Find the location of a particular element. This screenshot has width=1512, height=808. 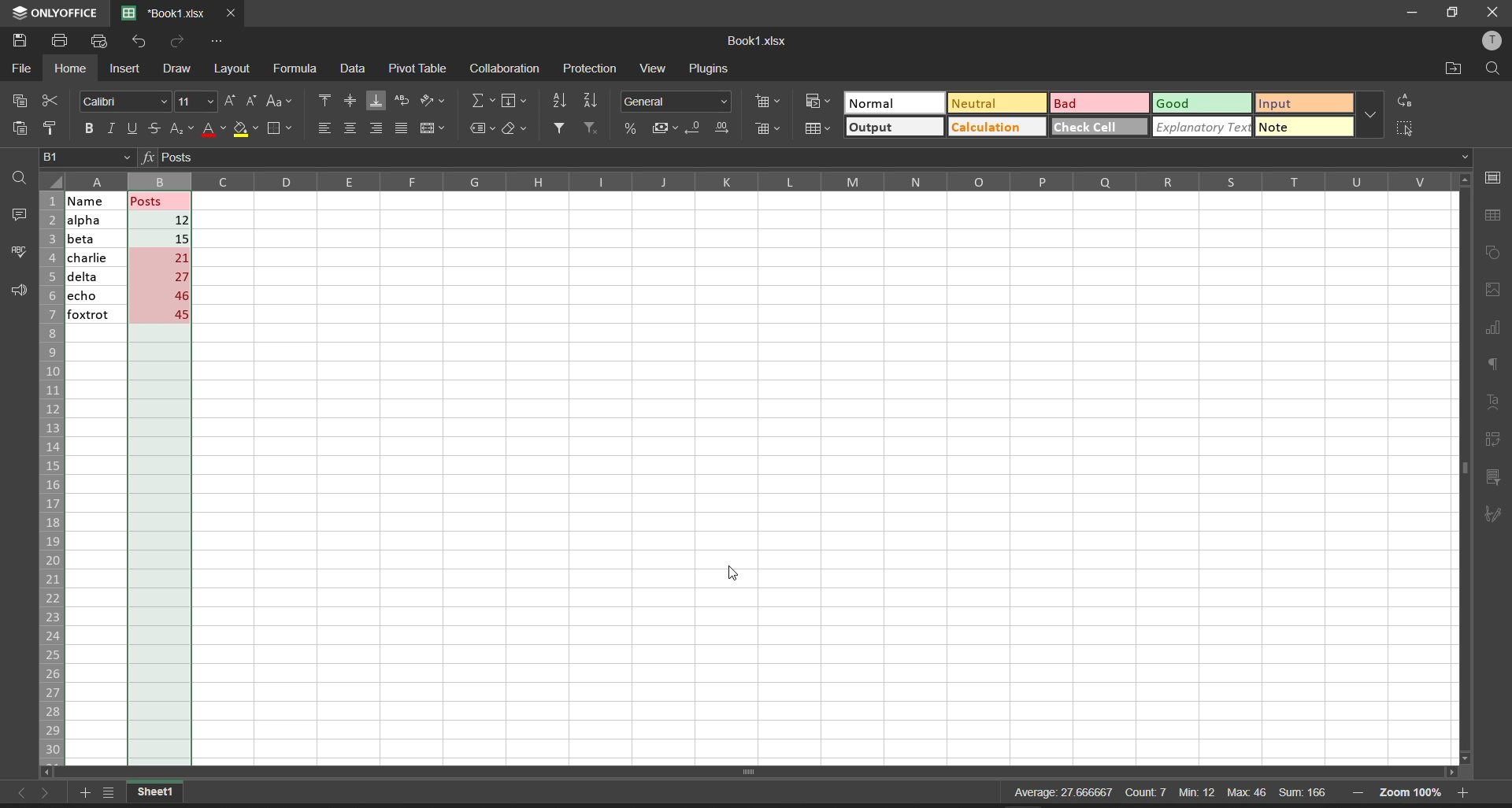

font color is located at coordinates (211, 131).